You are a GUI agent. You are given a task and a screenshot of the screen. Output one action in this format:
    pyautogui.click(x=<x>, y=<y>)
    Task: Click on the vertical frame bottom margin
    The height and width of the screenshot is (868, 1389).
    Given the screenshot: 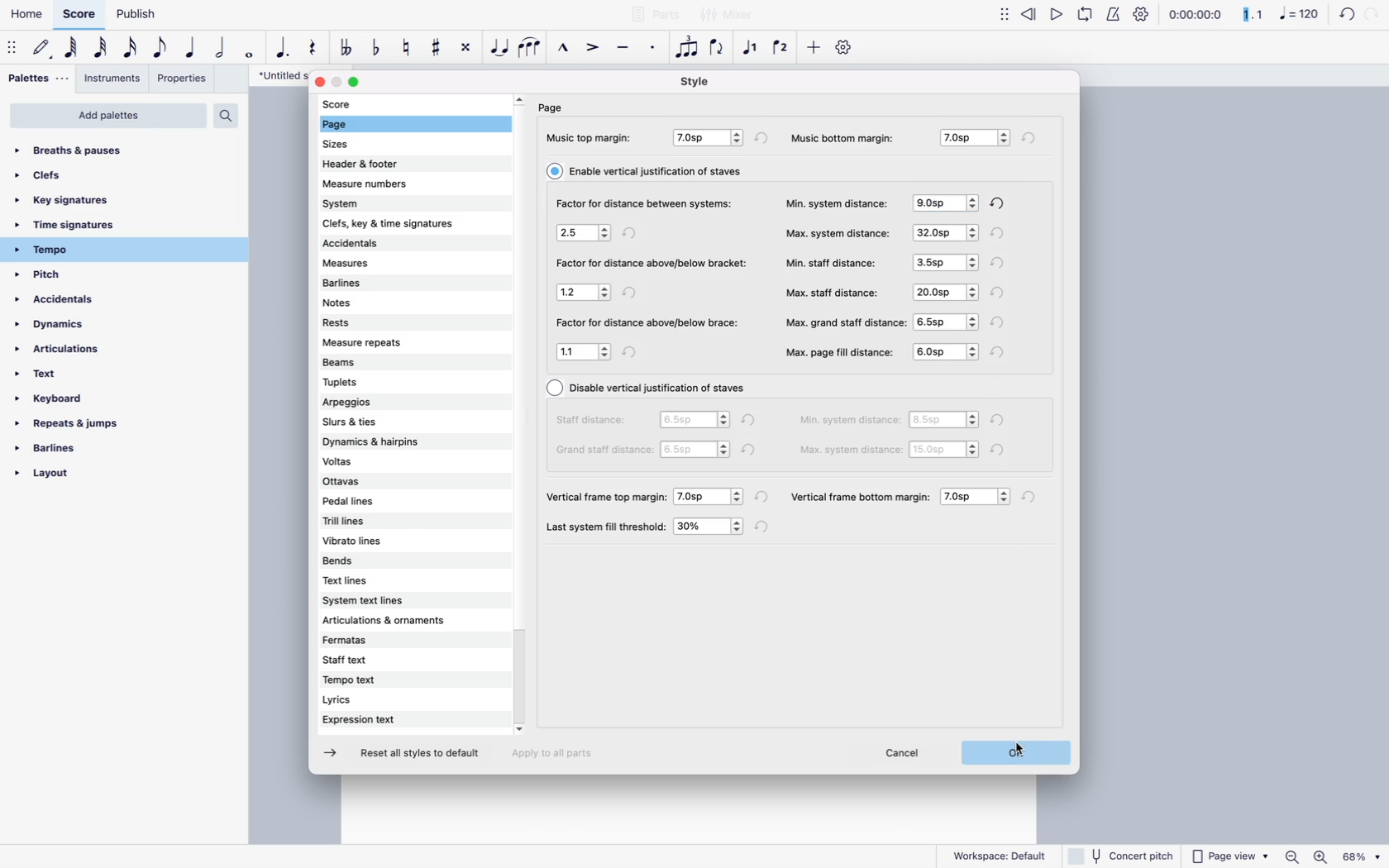 What is the action you would take?
    pyautogui.click(x=861, y=494)
    